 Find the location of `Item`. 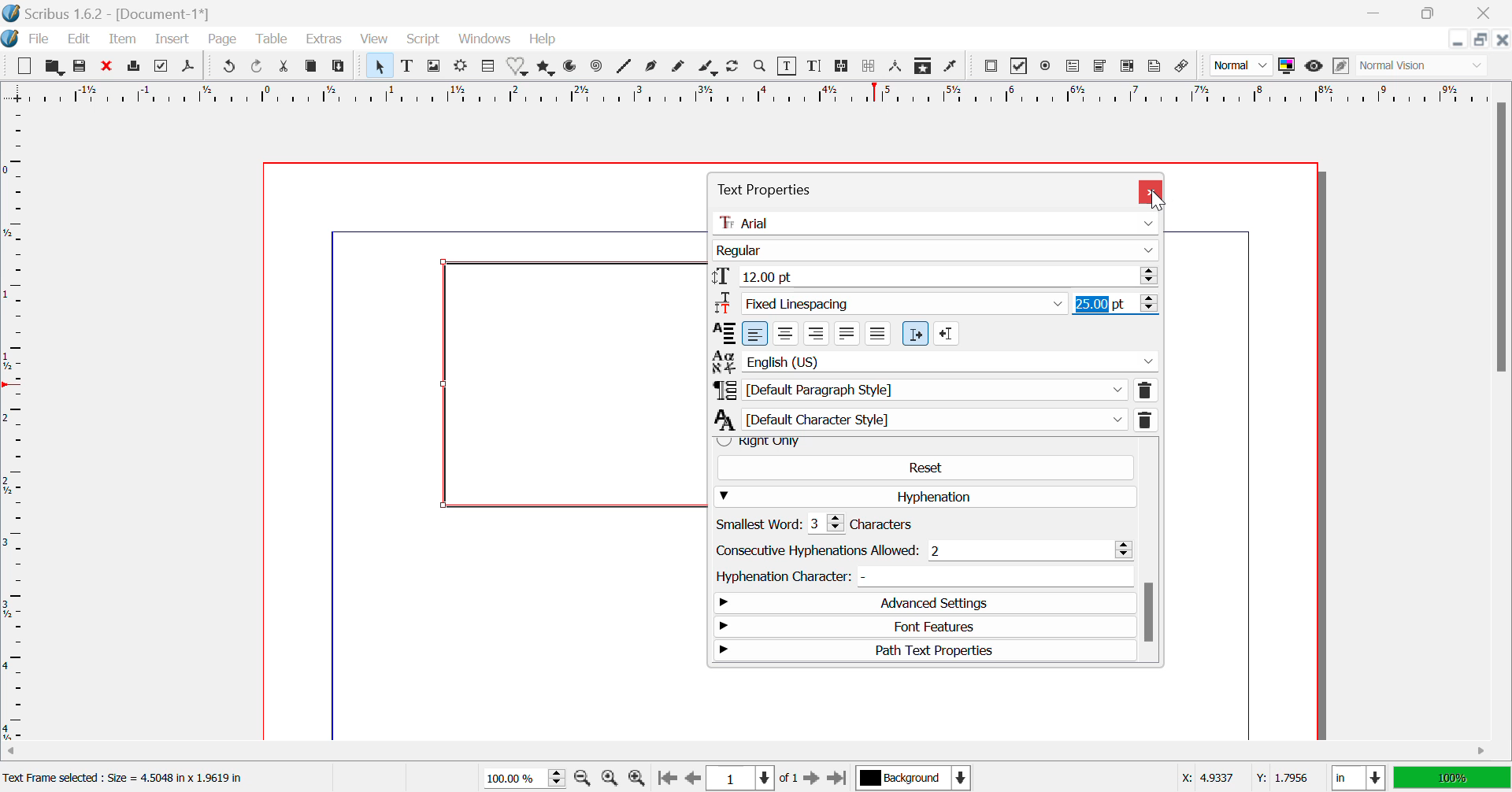

Item is located at coordinates (123, 41).